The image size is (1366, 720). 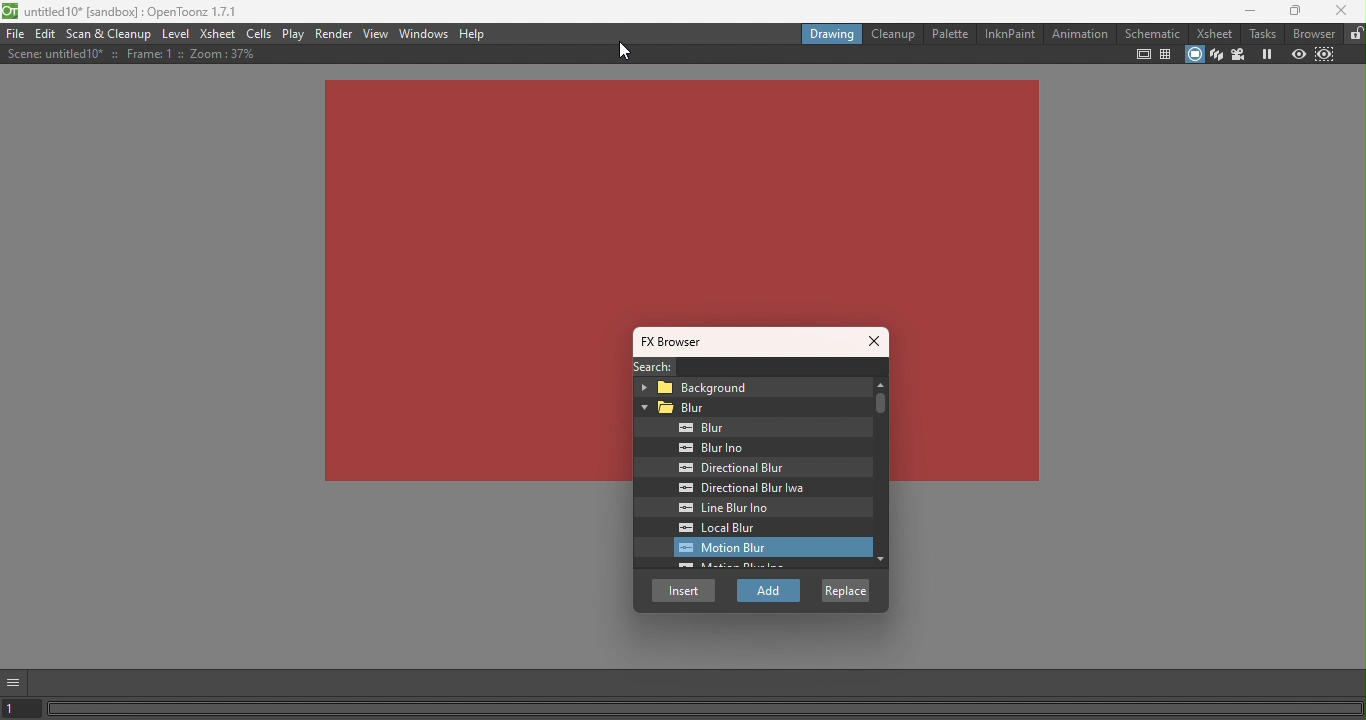 What do you see at coordinates (1267, 53) in the screenshot?
I see `Freeze` at bounding box center [1267, 53].